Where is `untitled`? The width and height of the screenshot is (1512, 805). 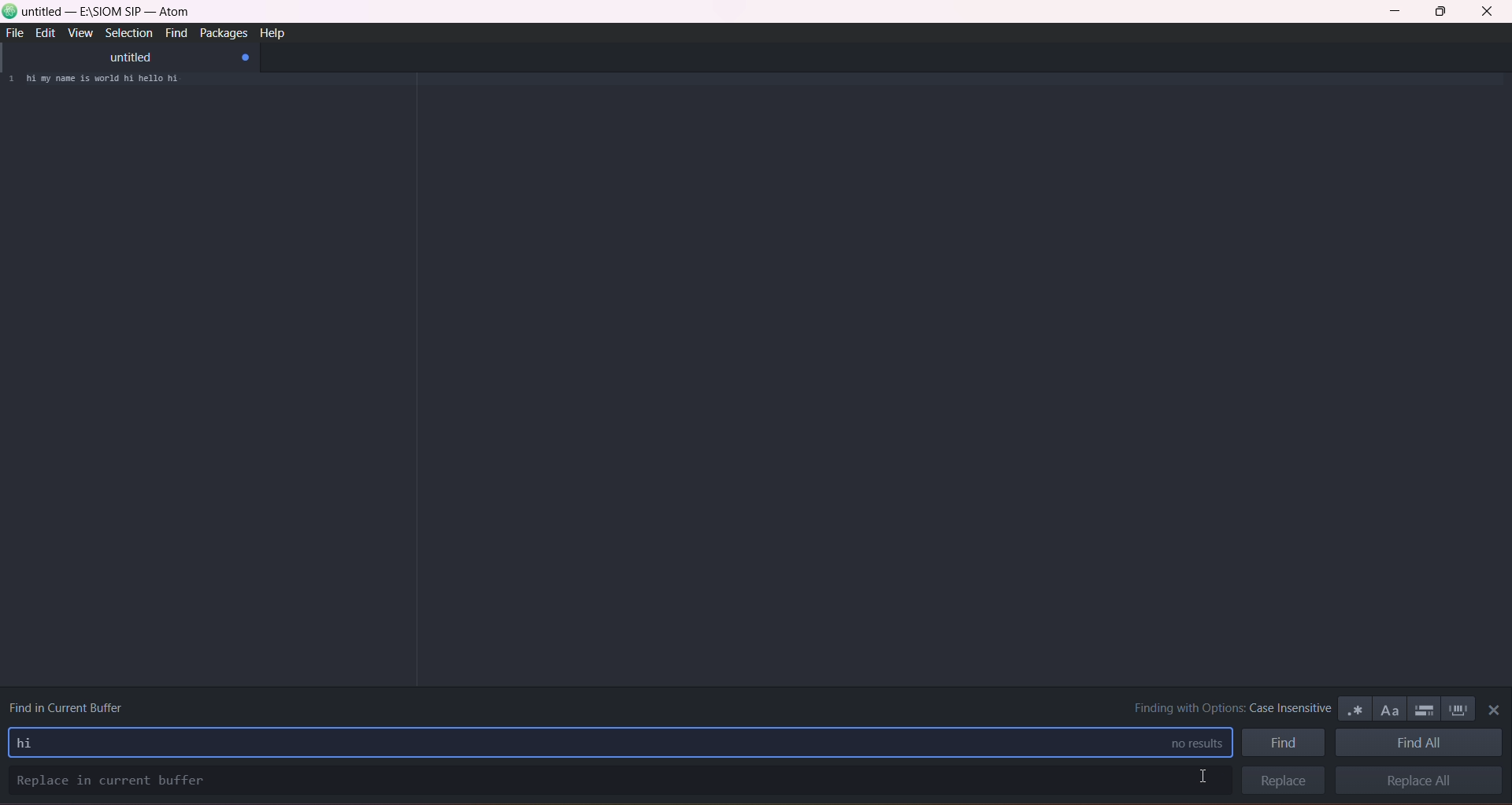
untitled is located at coordinates (129, 57).